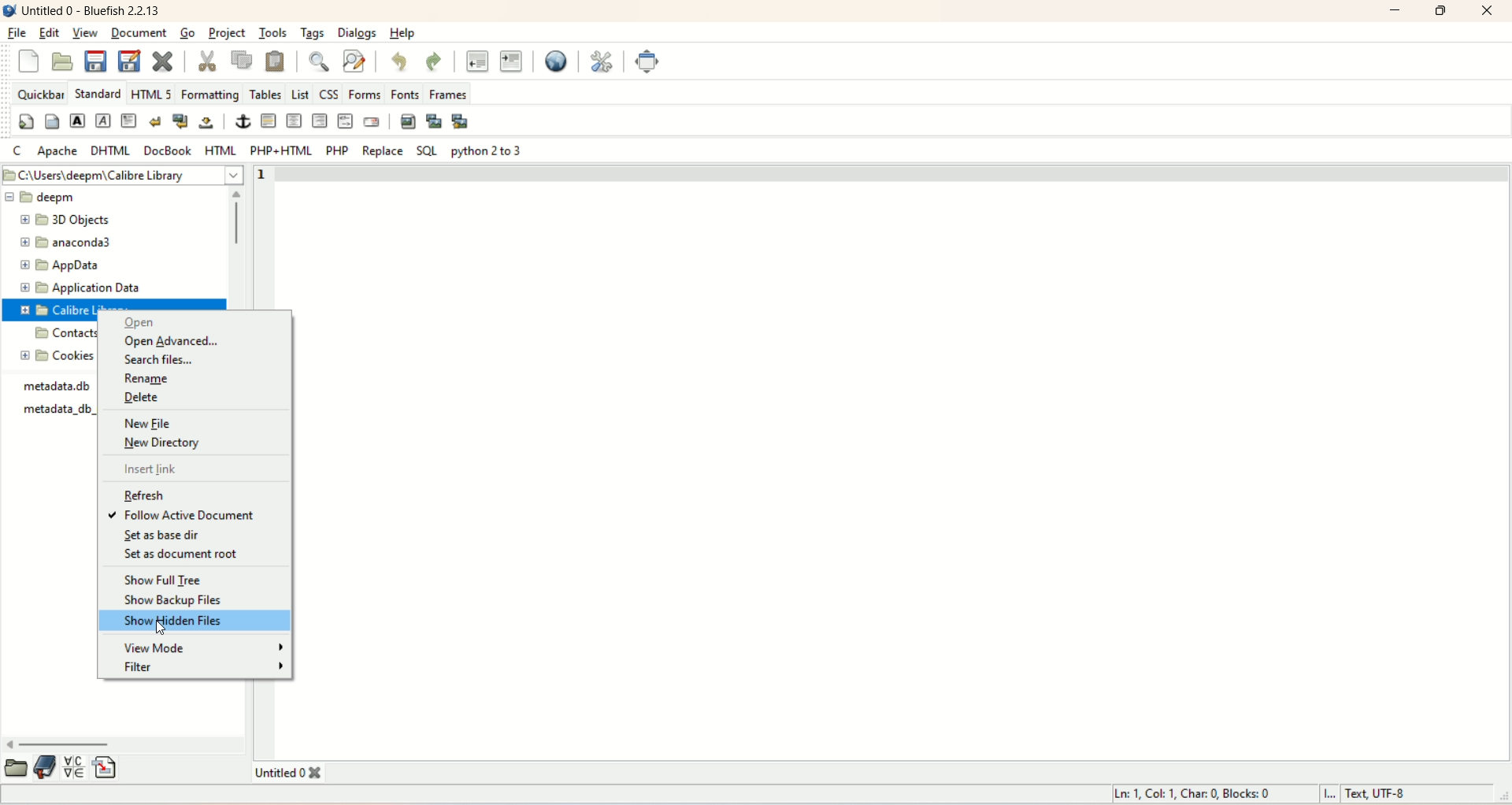  What do you see at coordinates (129, 120) in the screenshot?
I see `paragraph` at bounding box center [129, 120].